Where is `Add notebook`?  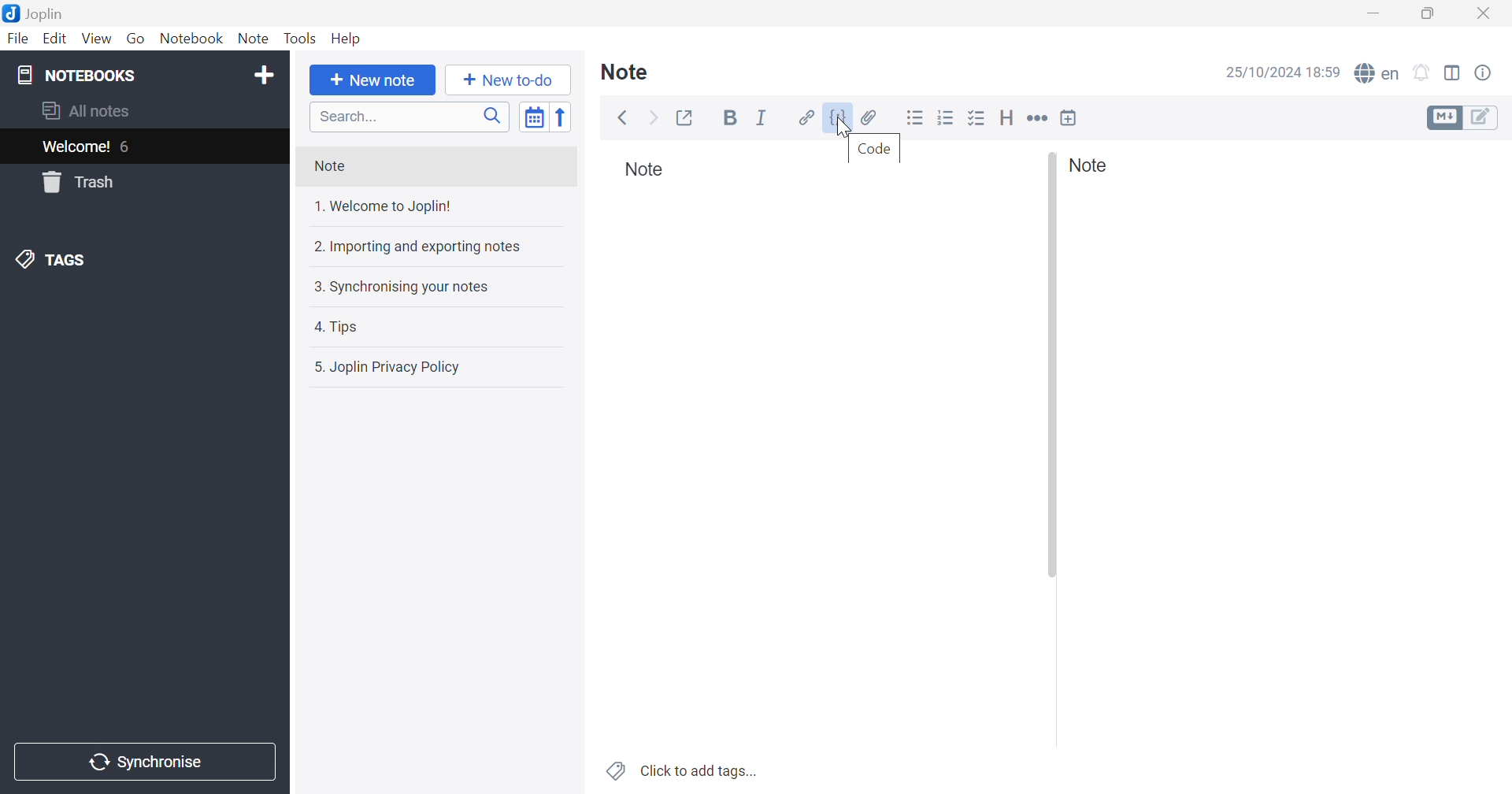
Add notebook is located at coordinates (266, 77).